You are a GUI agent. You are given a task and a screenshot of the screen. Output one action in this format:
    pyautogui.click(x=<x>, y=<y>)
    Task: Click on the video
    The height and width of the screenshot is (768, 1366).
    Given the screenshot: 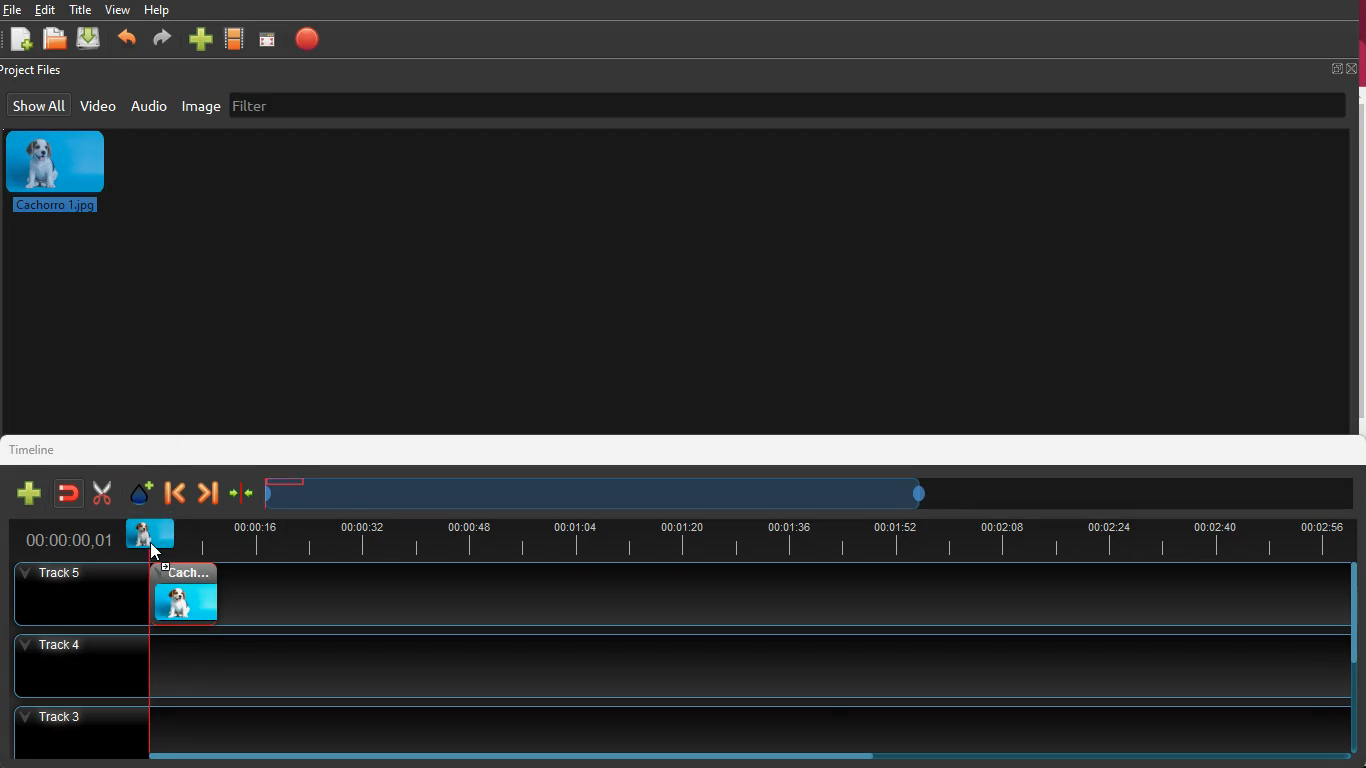 What is the action you would take?
    pyautogui.click(x=151, y=534)
    